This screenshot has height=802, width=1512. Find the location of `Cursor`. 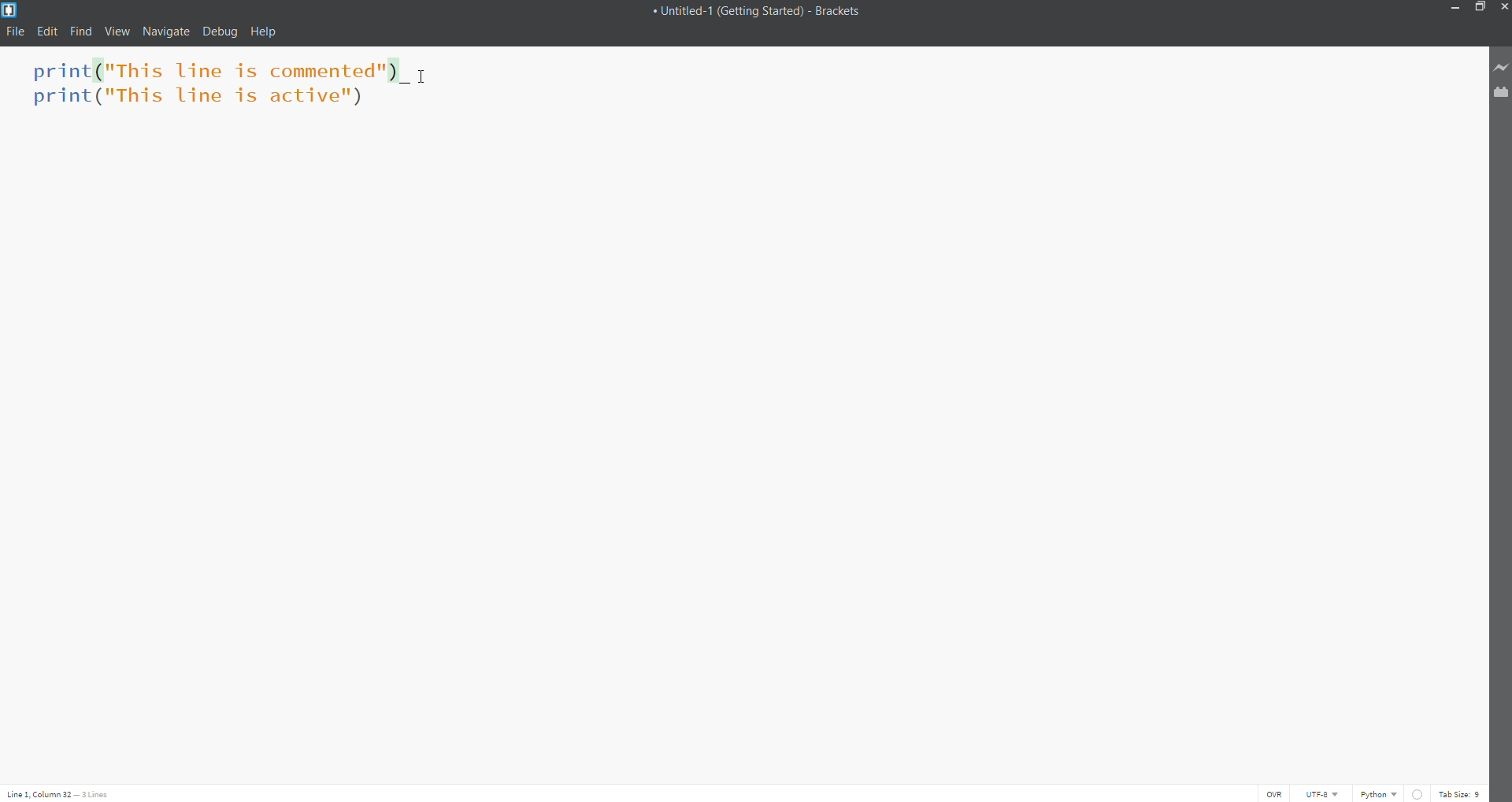

Cursor is located at coordinates (425, 75).